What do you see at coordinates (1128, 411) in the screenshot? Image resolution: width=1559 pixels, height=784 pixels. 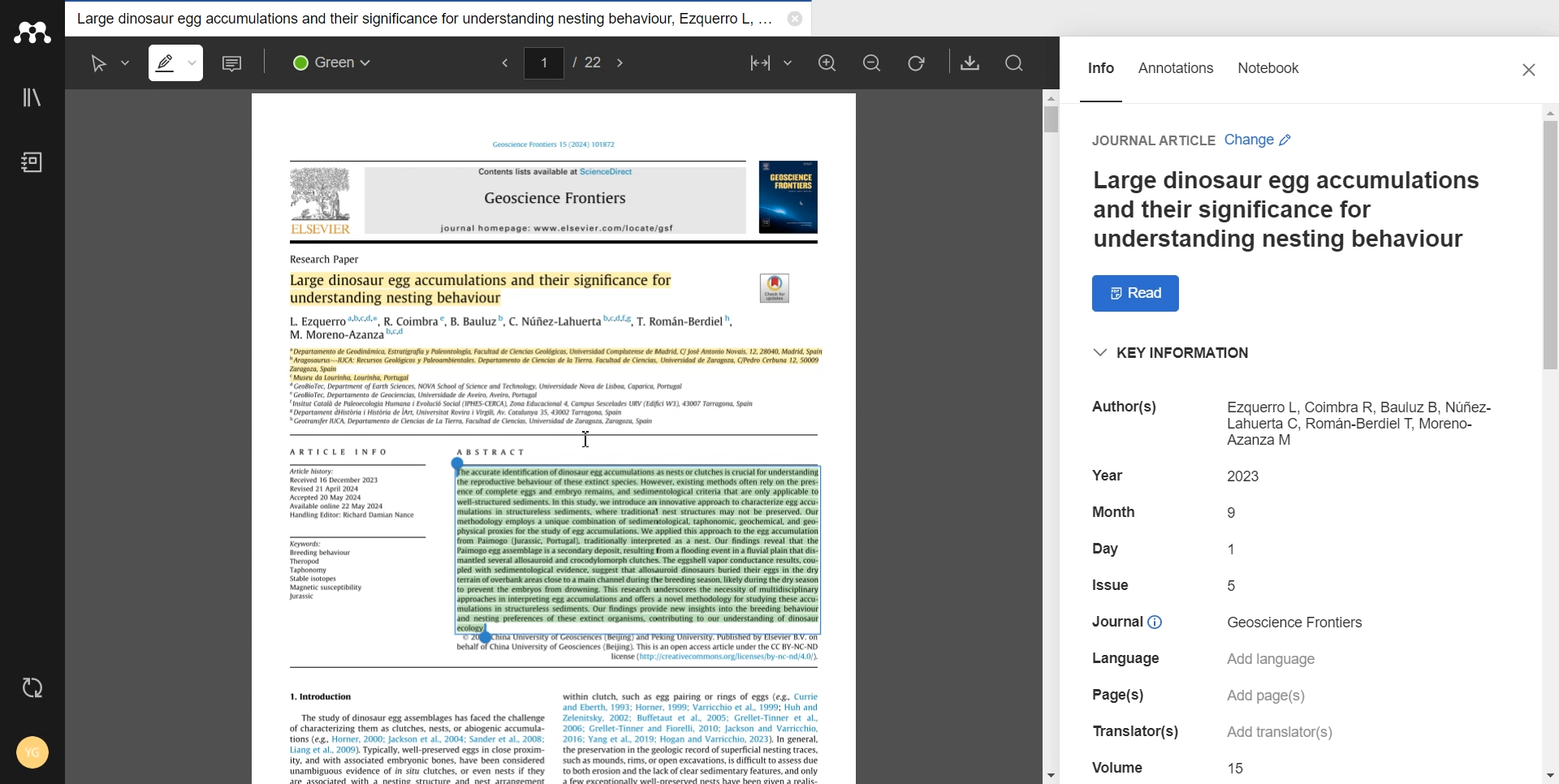 I see `text` at bounding box center [1128, 411].